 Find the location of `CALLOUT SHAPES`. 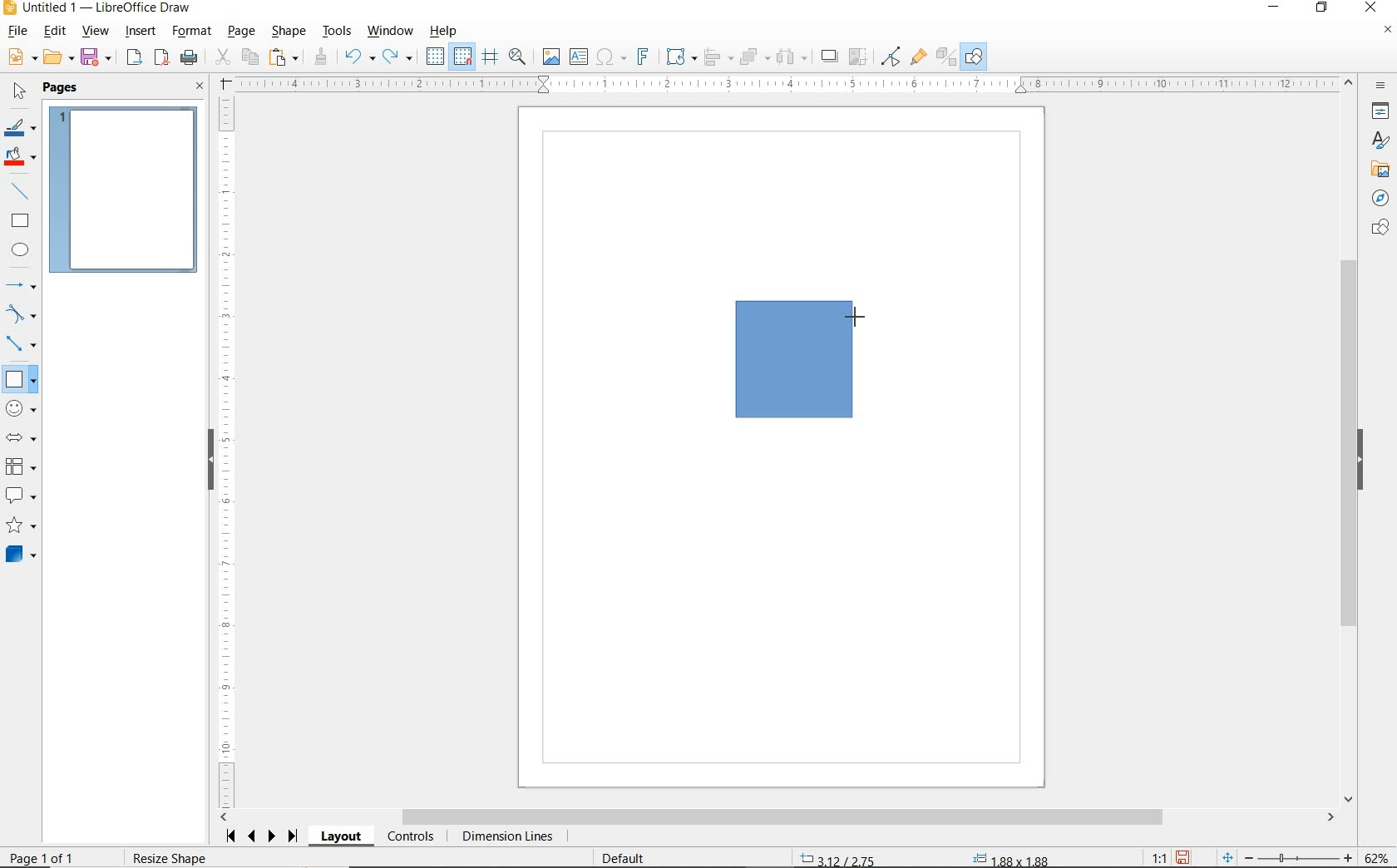

CALLOUT SHAPES is located at coordinates (22, 496).